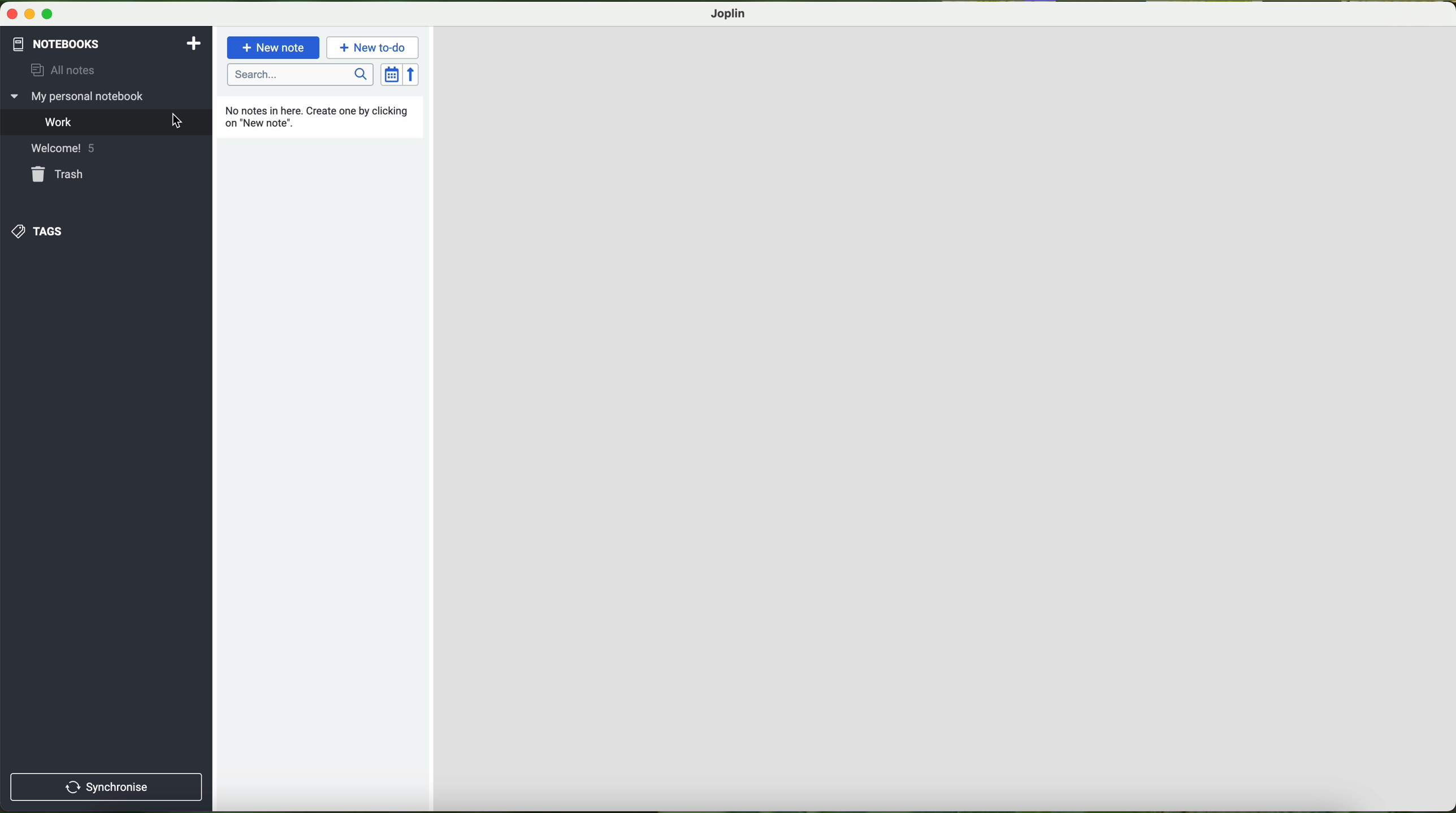  Describe the element at coordinates (13, 14) in the screenshot. I see `close` at that location.